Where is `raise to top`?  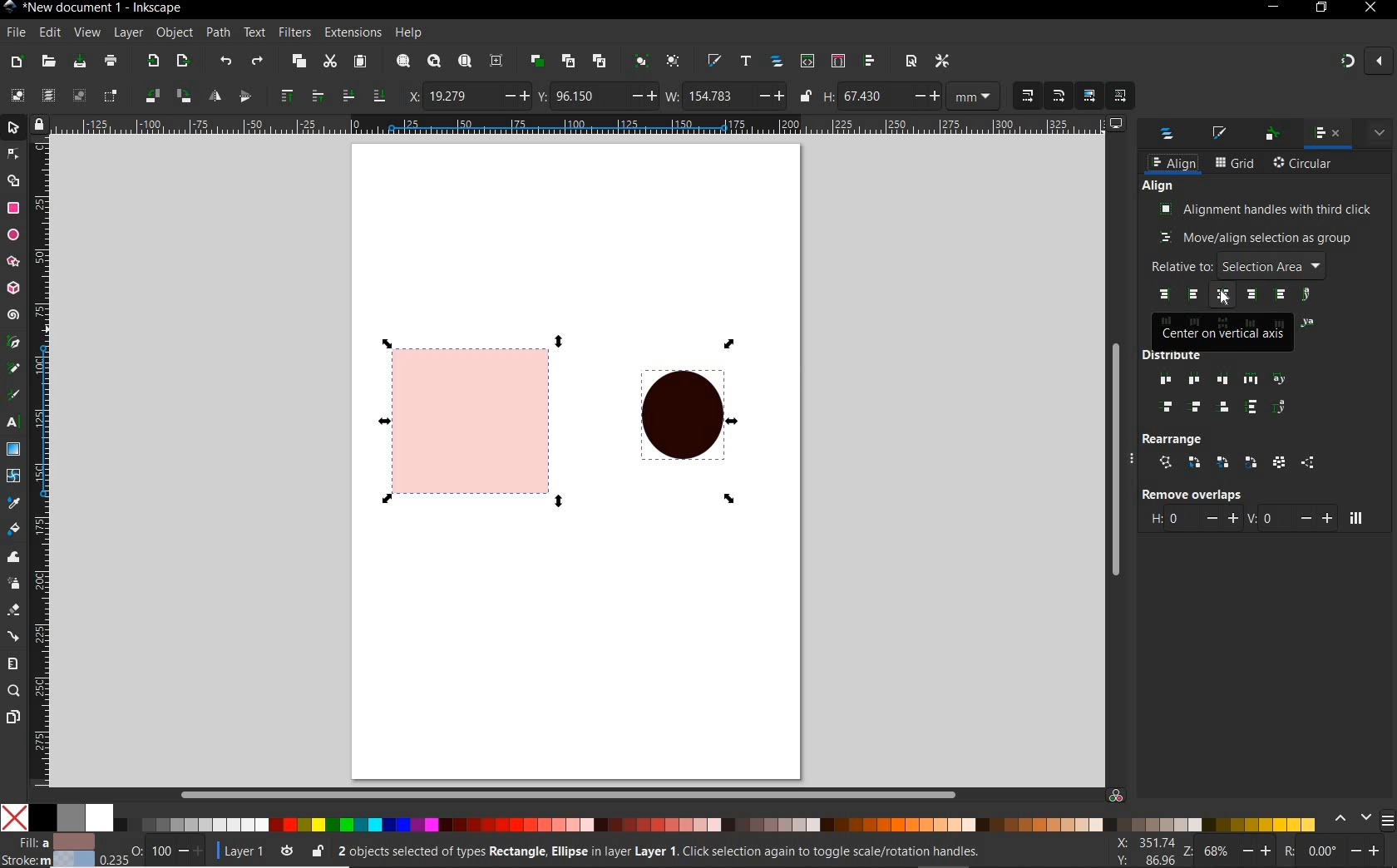
raise to top is located at coordinates (289, 94).